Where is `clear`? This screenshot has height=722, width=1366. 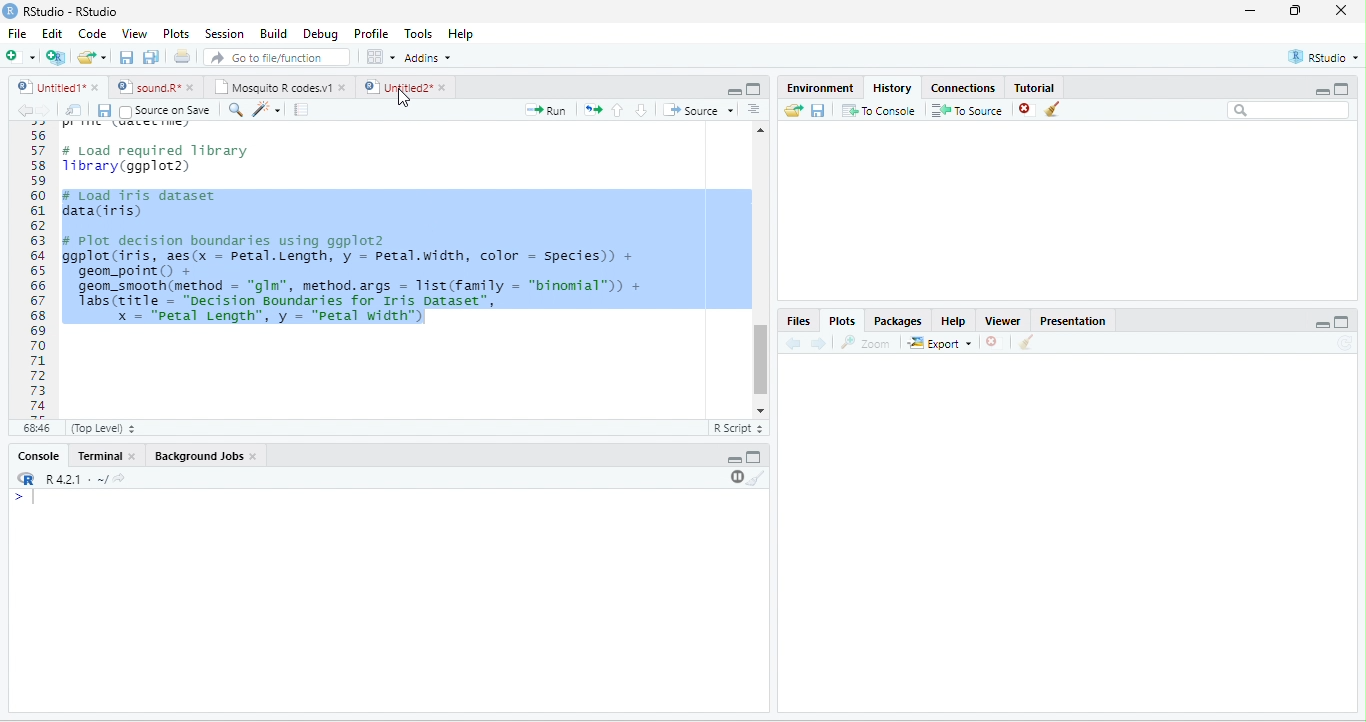 clear is located at coordinates (757, 478).